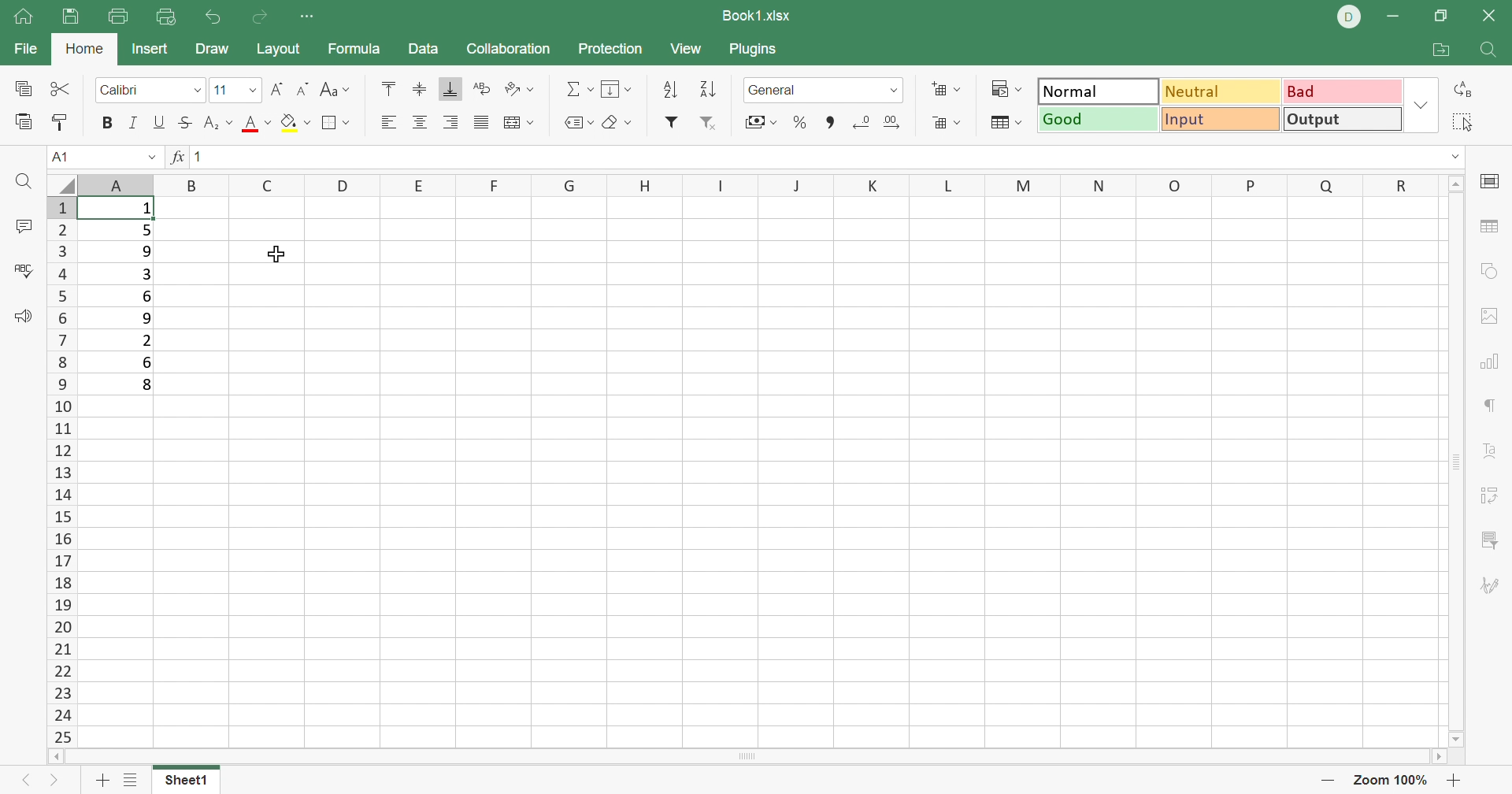 The height and width of the screenshot is (794, 1512). Describe the element at coordinates (146, 340) in the screenshot. I see `2` at that location.